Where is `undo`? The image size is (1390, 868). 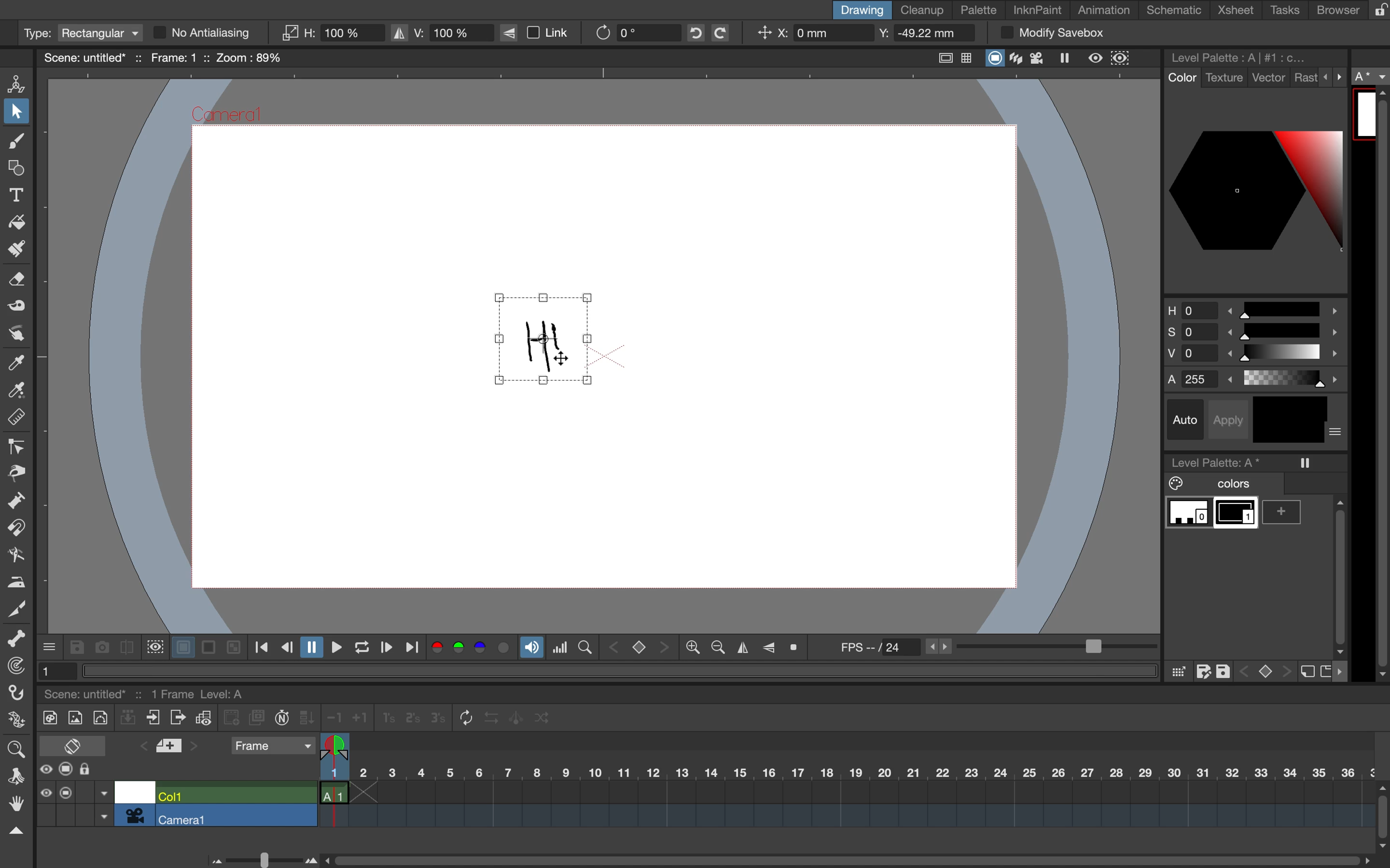 undo is located at coordinates (692, 33).